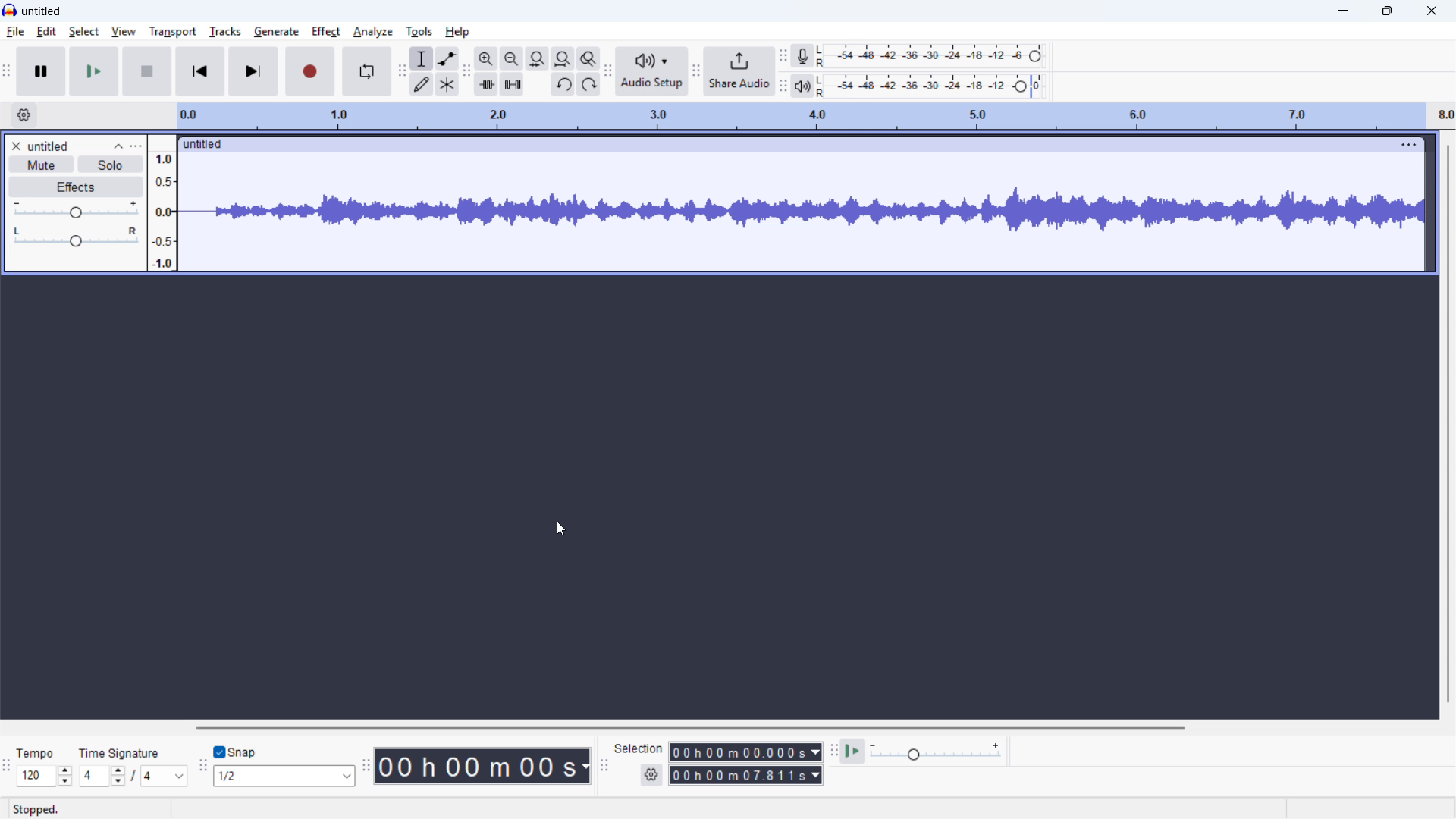  What do you see at coordinates (111, 165) in the screenshot?
I see `solo` at bounding box center [111, 165].